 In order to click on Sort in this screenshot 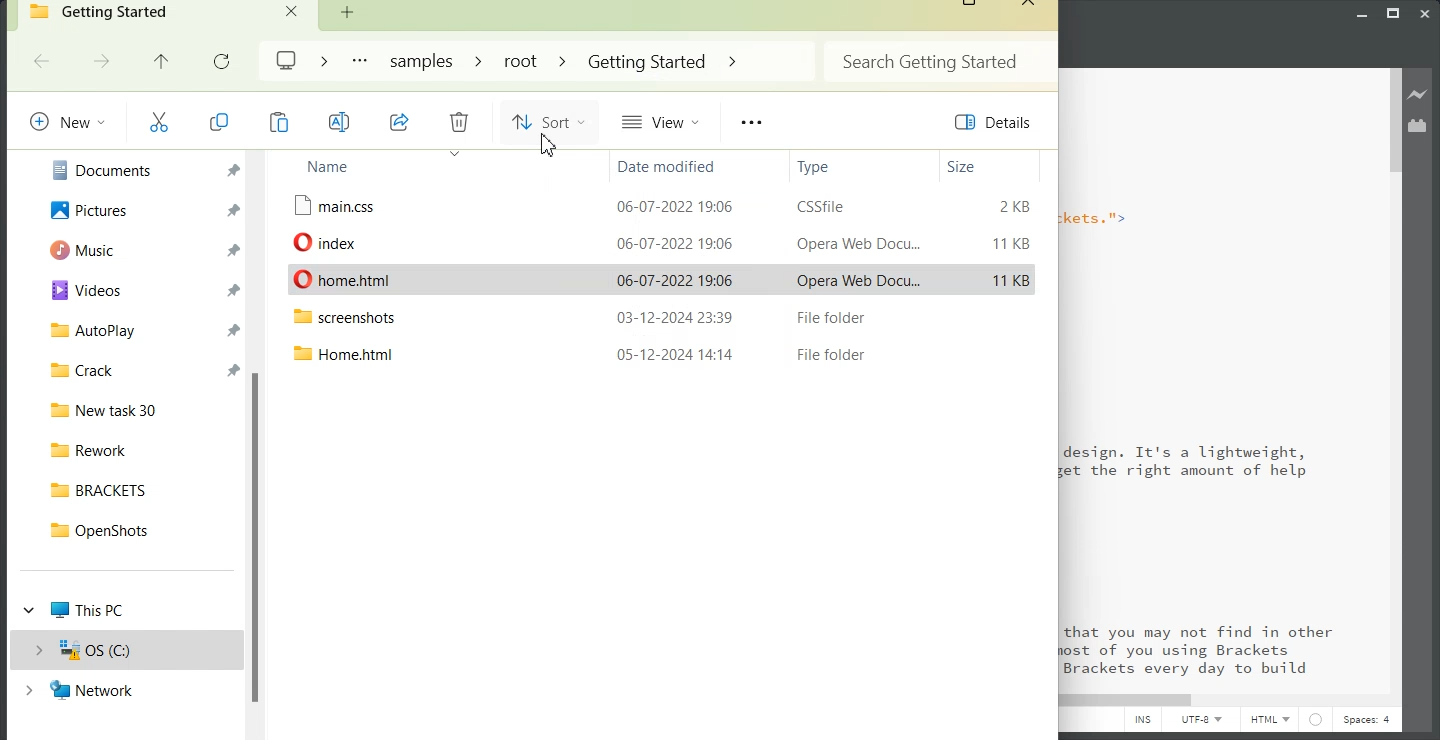, I will do `click(545, 121)`.